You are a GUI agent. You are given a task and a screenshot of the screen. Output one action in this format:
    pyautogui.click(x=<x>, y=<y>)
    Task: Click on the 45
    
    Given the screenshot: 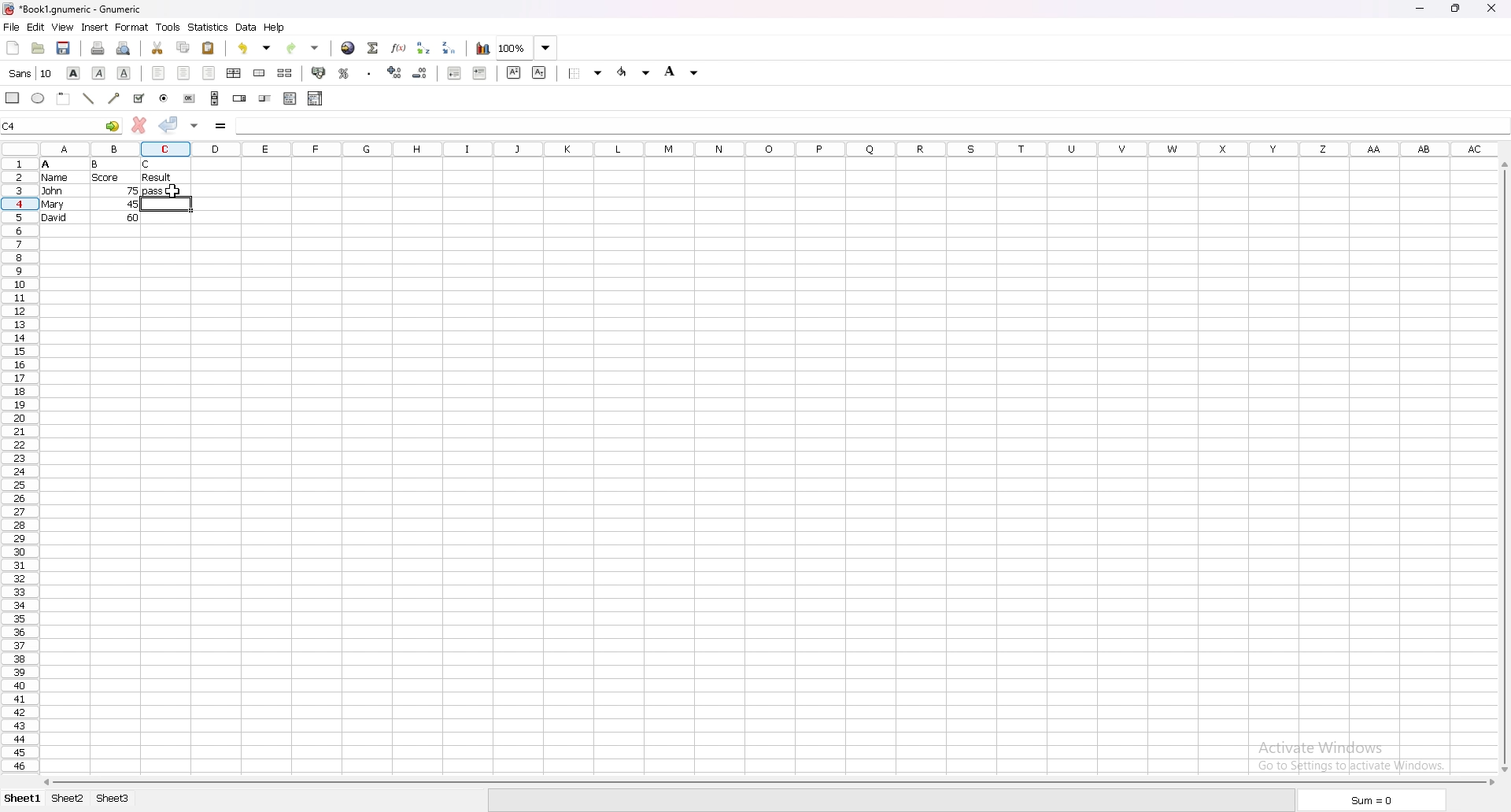 What is the action you would take?
    pyautogui.click(x=132, y=204)
    